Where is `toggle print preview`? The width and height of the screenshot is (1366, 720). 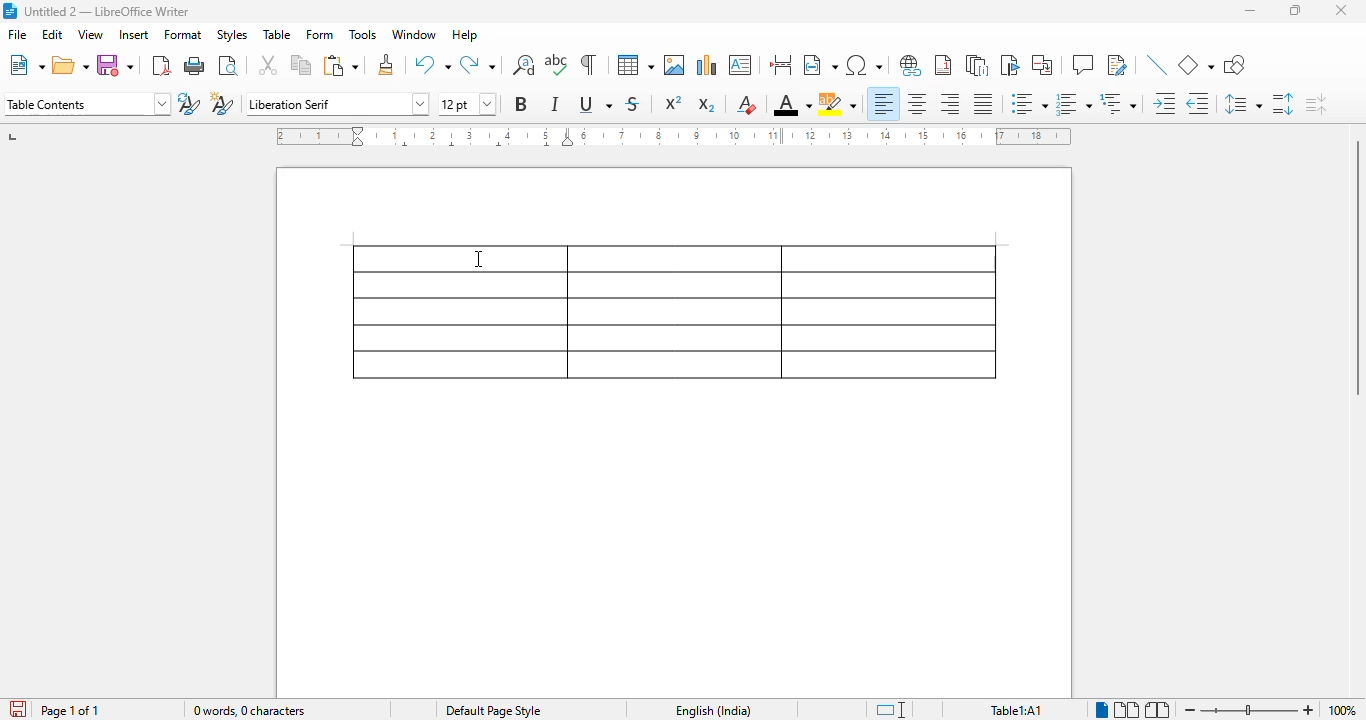
toggle print preview is located at coordinates (227, 66).